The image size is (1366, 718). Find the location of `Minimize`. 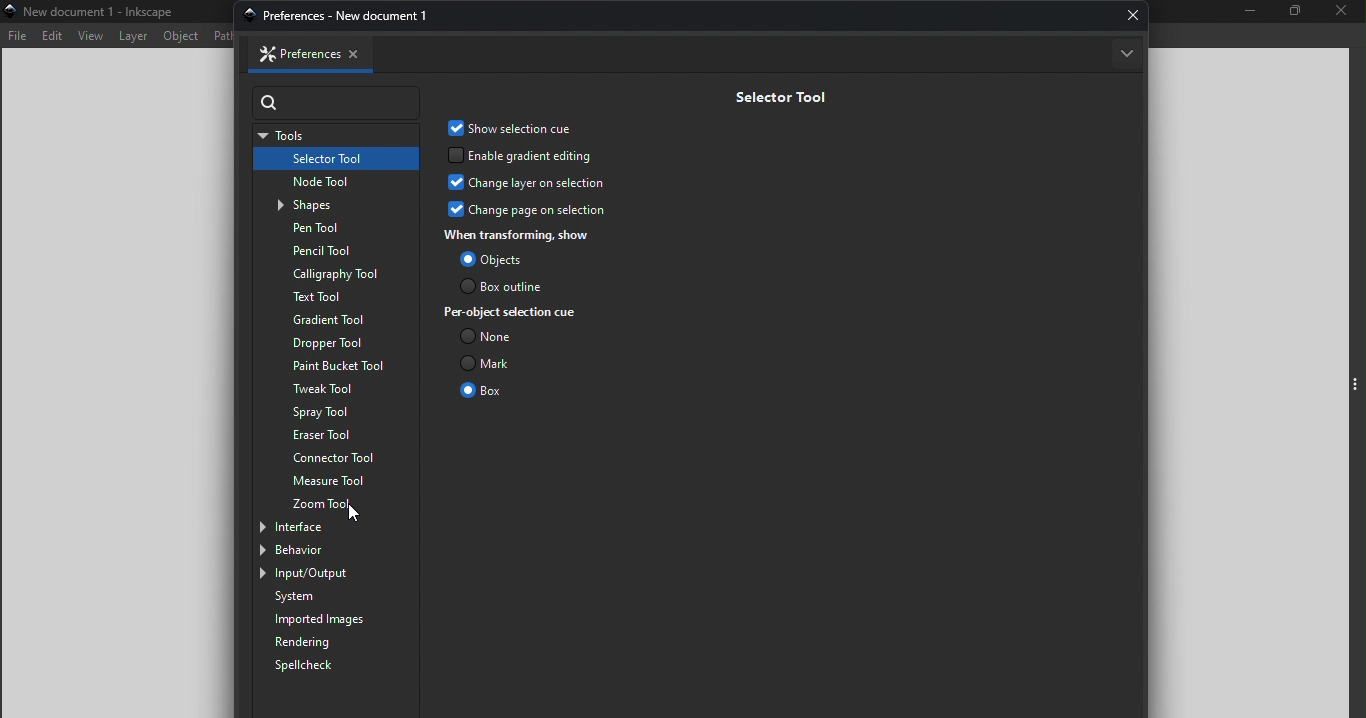

Minimize is located at coordinates (1246, 12).